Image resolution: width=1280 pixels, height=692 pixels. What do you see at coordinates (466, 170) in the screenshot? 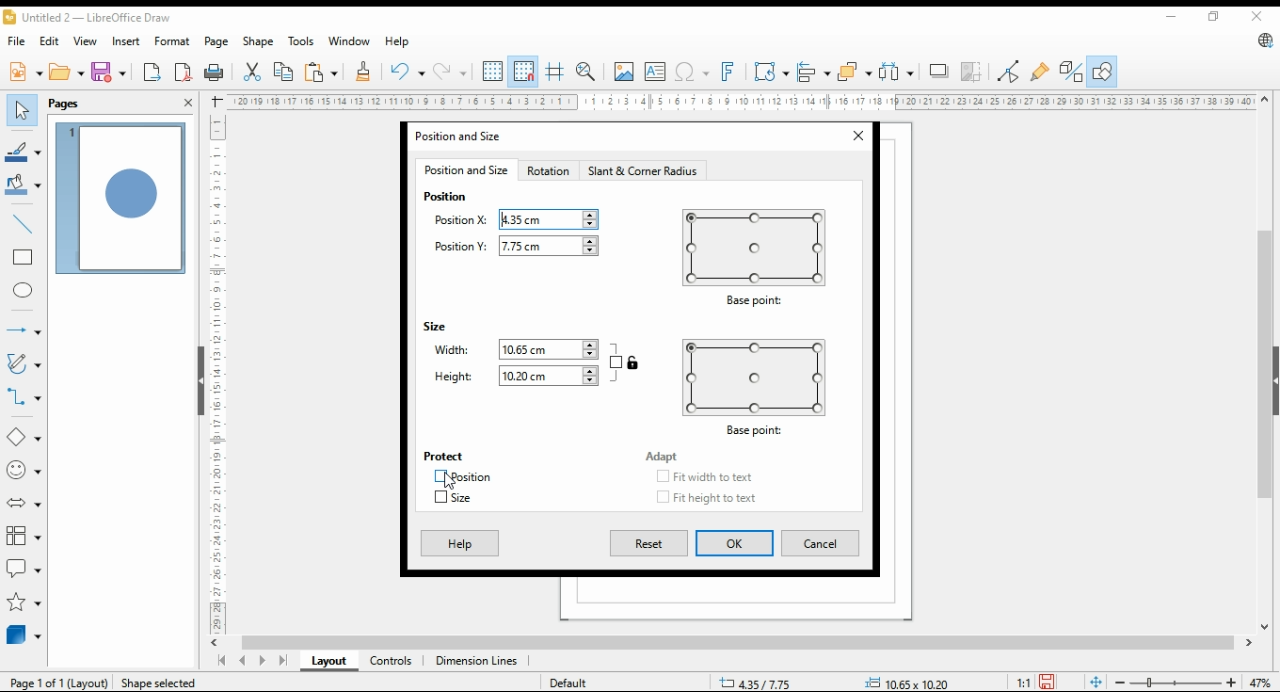
I see `position and size` at bounding box center [466, 170].